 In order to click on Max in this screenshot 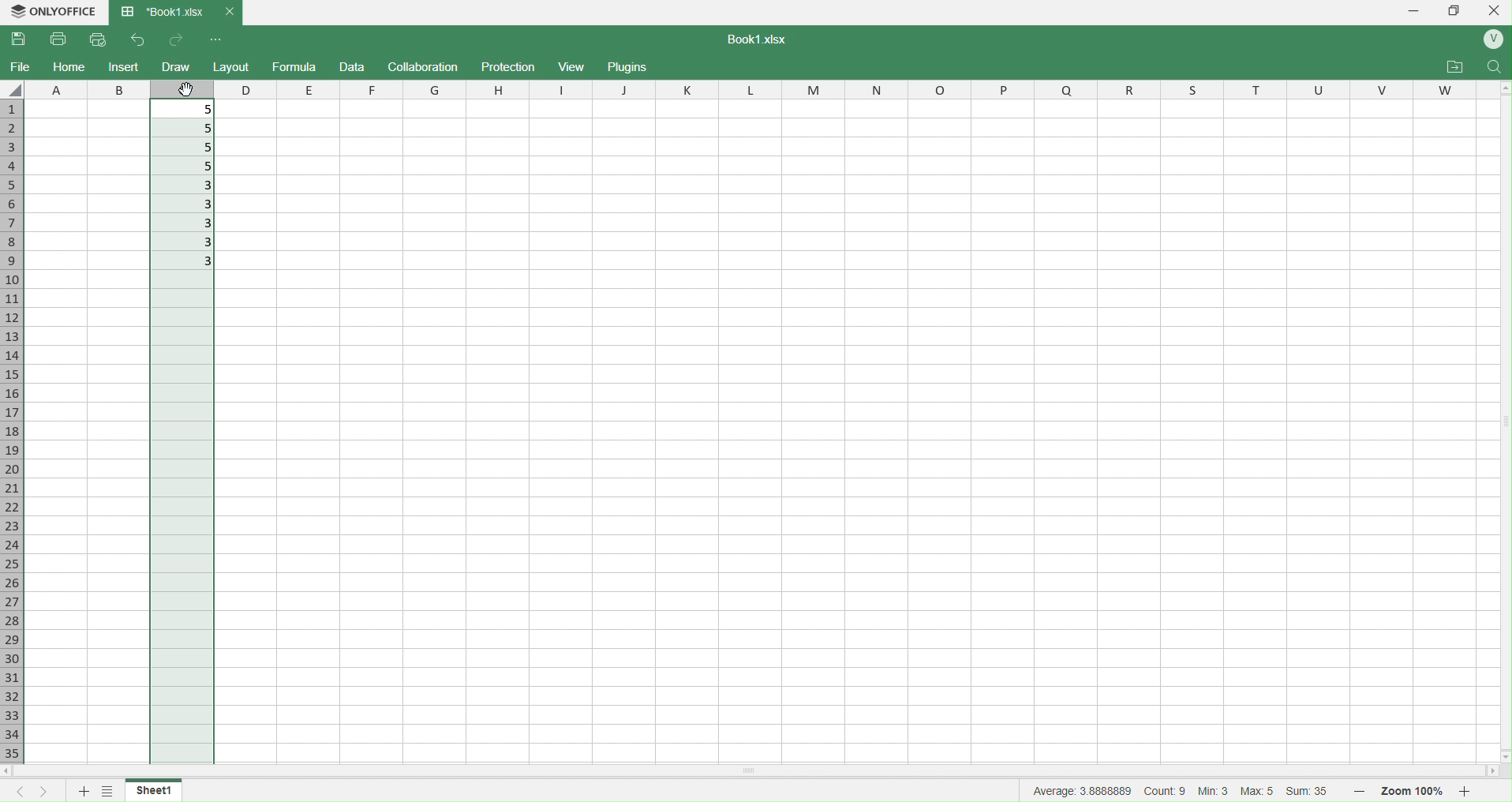, I will do `click(1259, 790)`.